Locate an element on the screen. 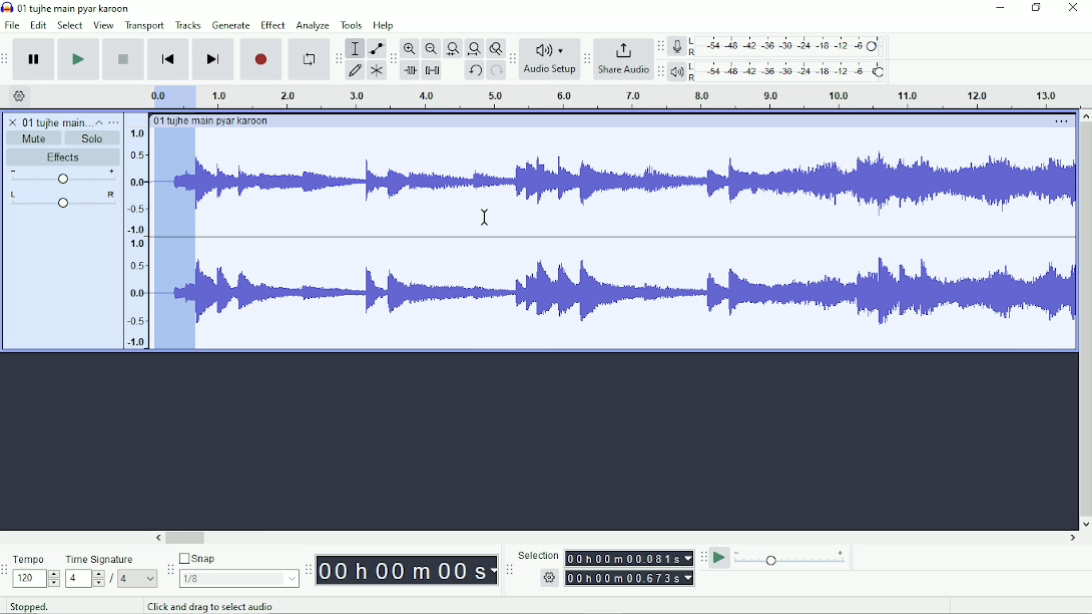  File is located at coordinates (14, 25).